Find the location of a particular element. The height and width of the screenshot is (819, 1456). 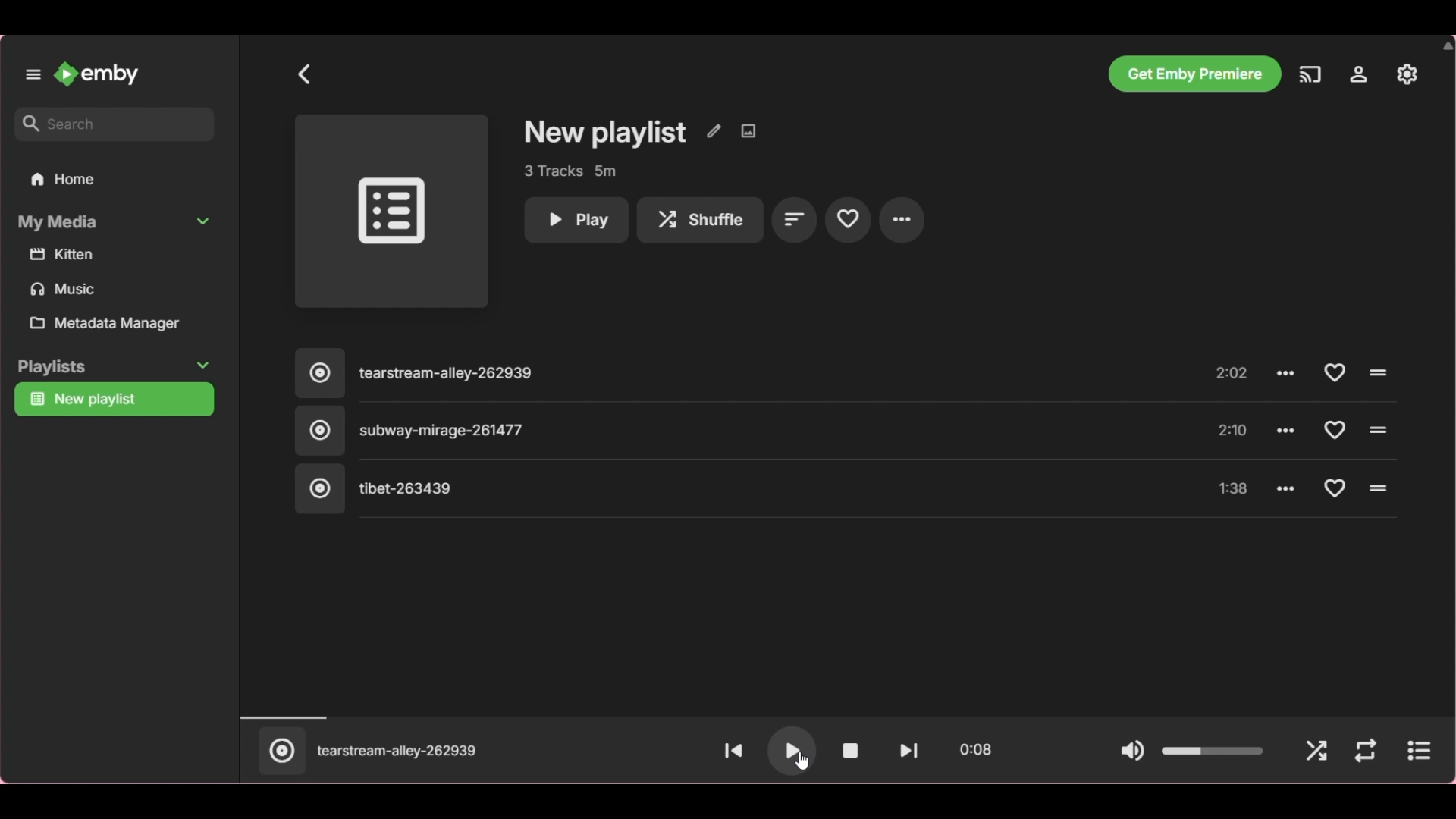

Song 3, click to play is located at coordinates (720, 489).